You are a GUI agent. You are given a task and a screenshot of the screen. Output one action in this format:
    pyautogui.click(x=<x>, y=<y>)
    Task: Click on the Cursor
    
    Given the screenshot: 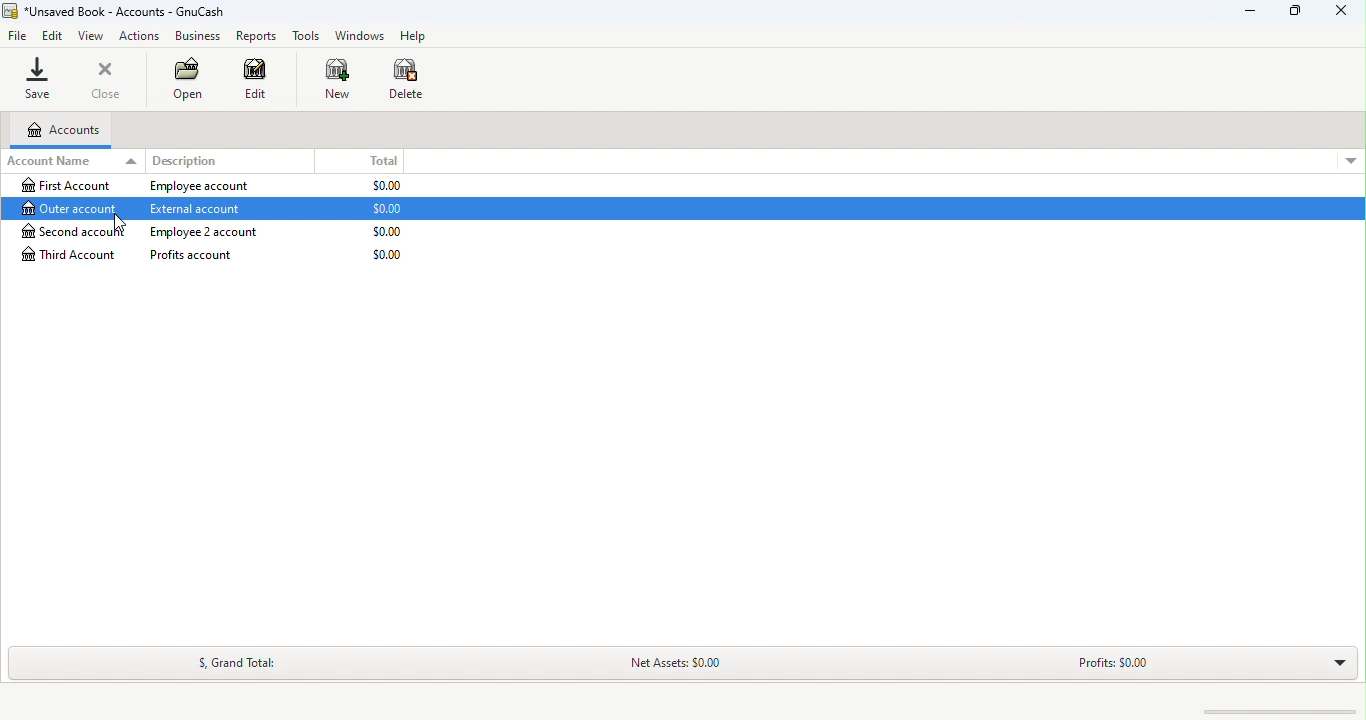 What is the action you would take?
    pyautogui.click(x=117, y=220)
    